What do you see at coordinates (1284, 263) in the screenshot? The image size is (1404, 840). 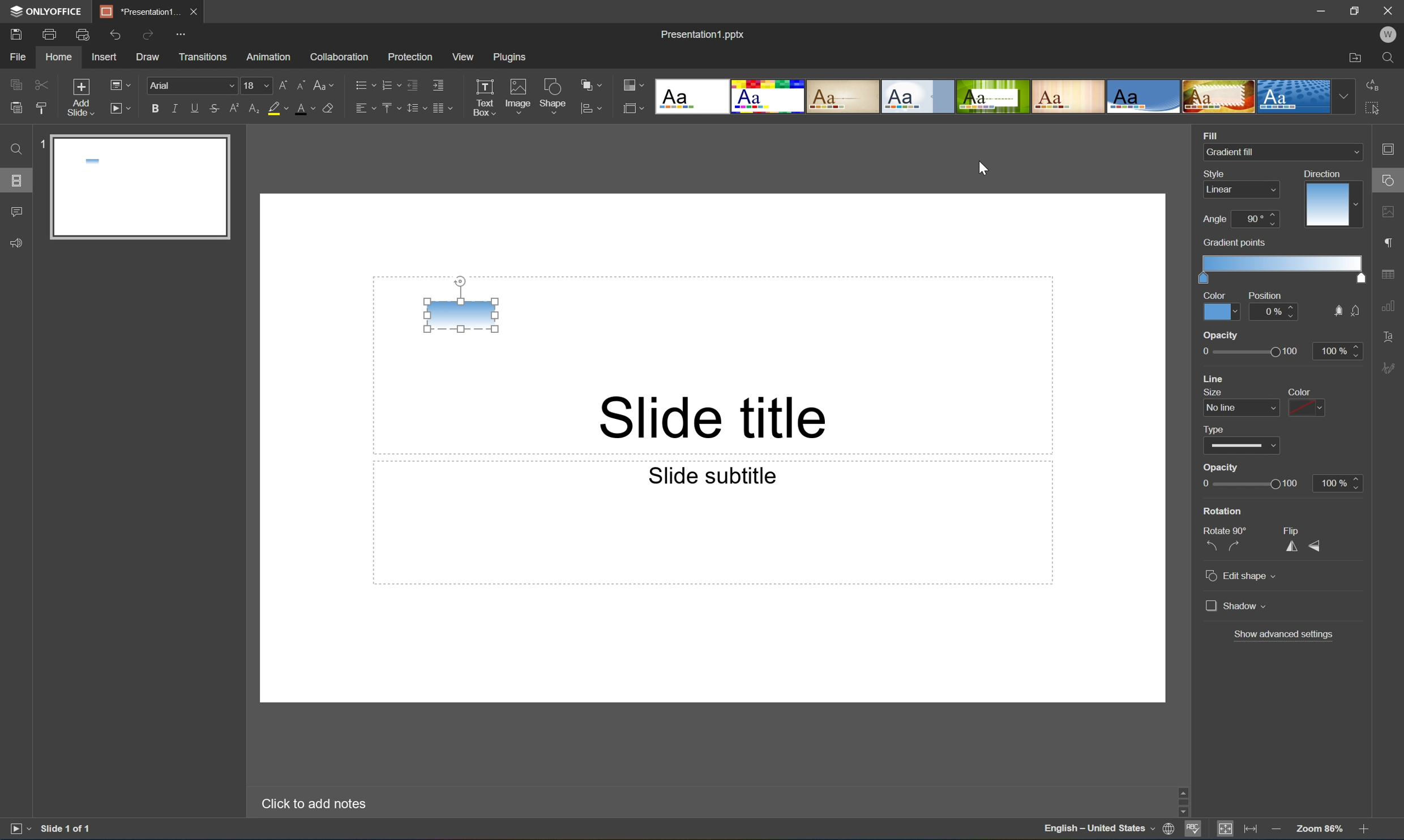 I see `Gradient scale` at bounding box center [1284, 263].